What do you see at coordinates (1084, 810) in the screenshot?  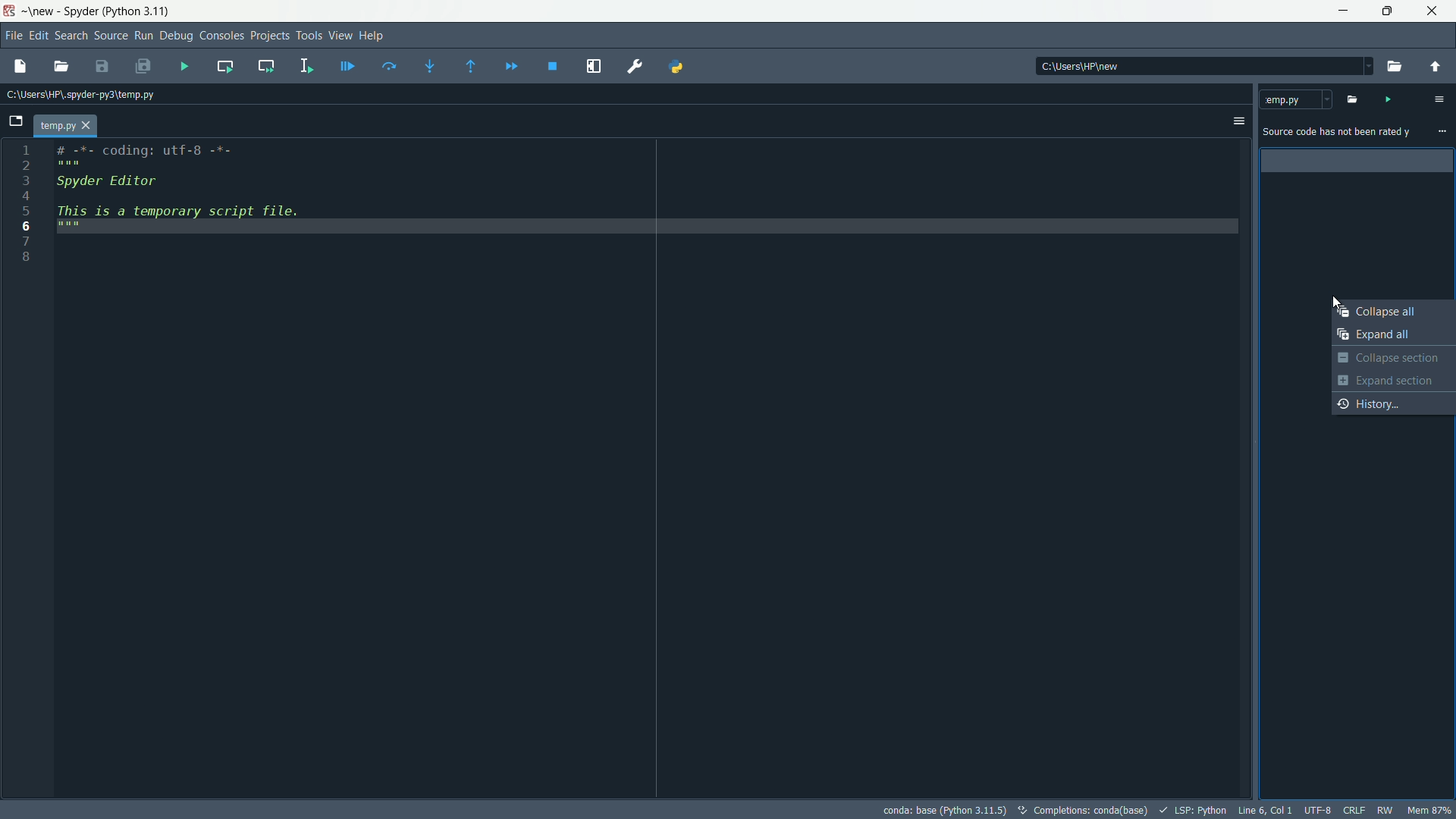 I see `completions: conda(base)` at bounding box center [1084, 810].